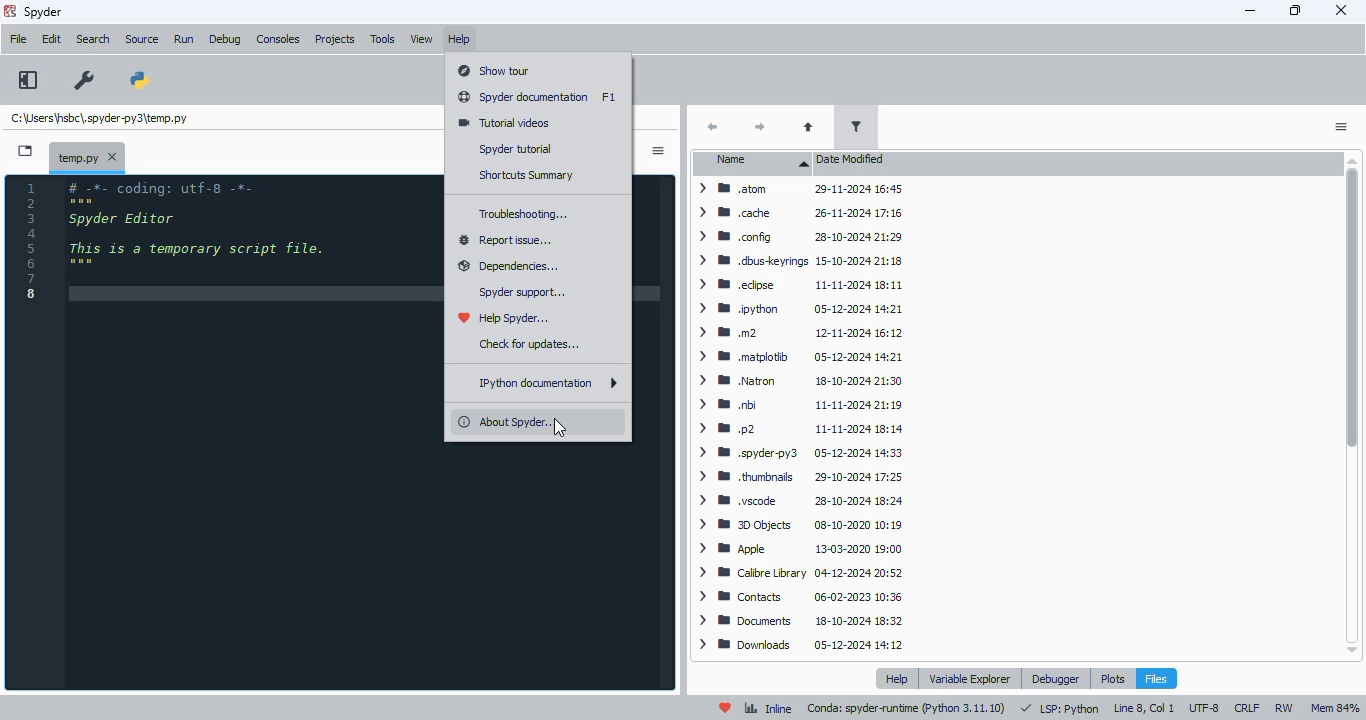 The image size is (1366, 720). Describe the element at coordinates (798, 332) in the screenshot. I see `> mm 12-11-2024 16:12` at that location.